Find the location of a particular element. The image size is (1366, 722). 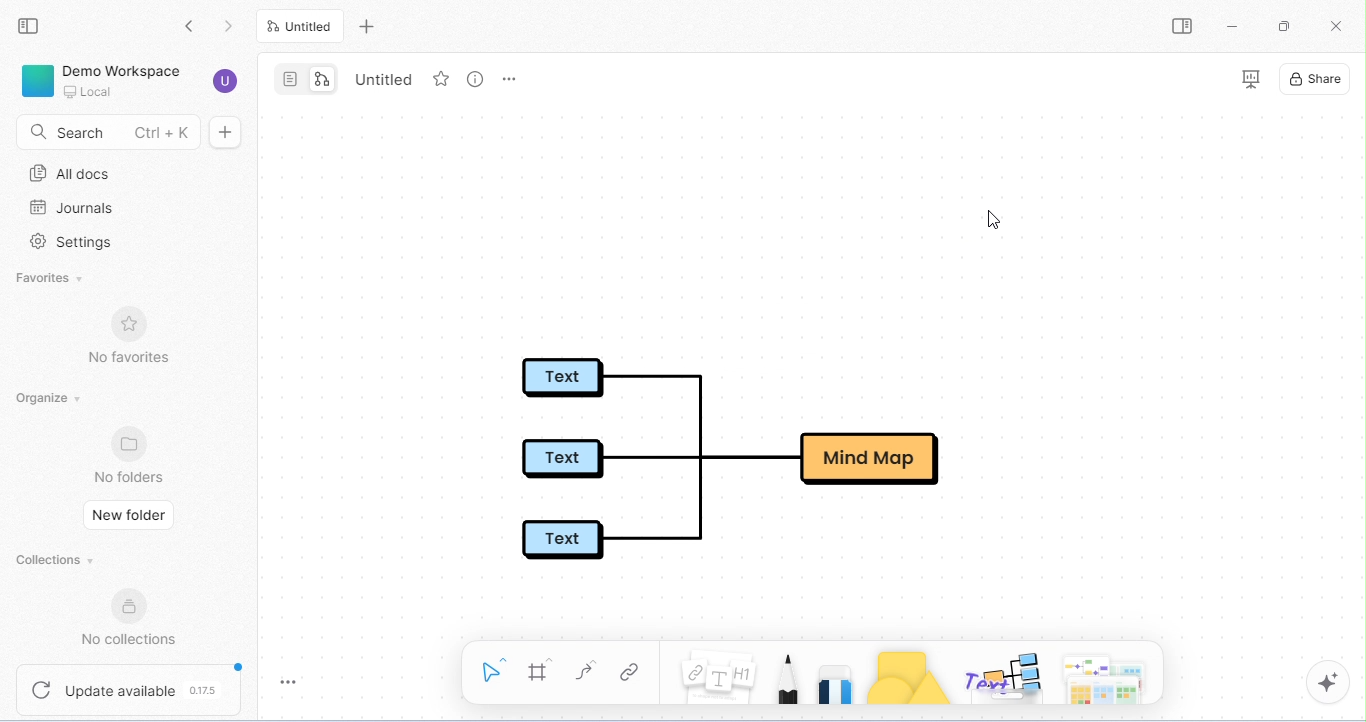

tab name is located at coordinates (392, 79).